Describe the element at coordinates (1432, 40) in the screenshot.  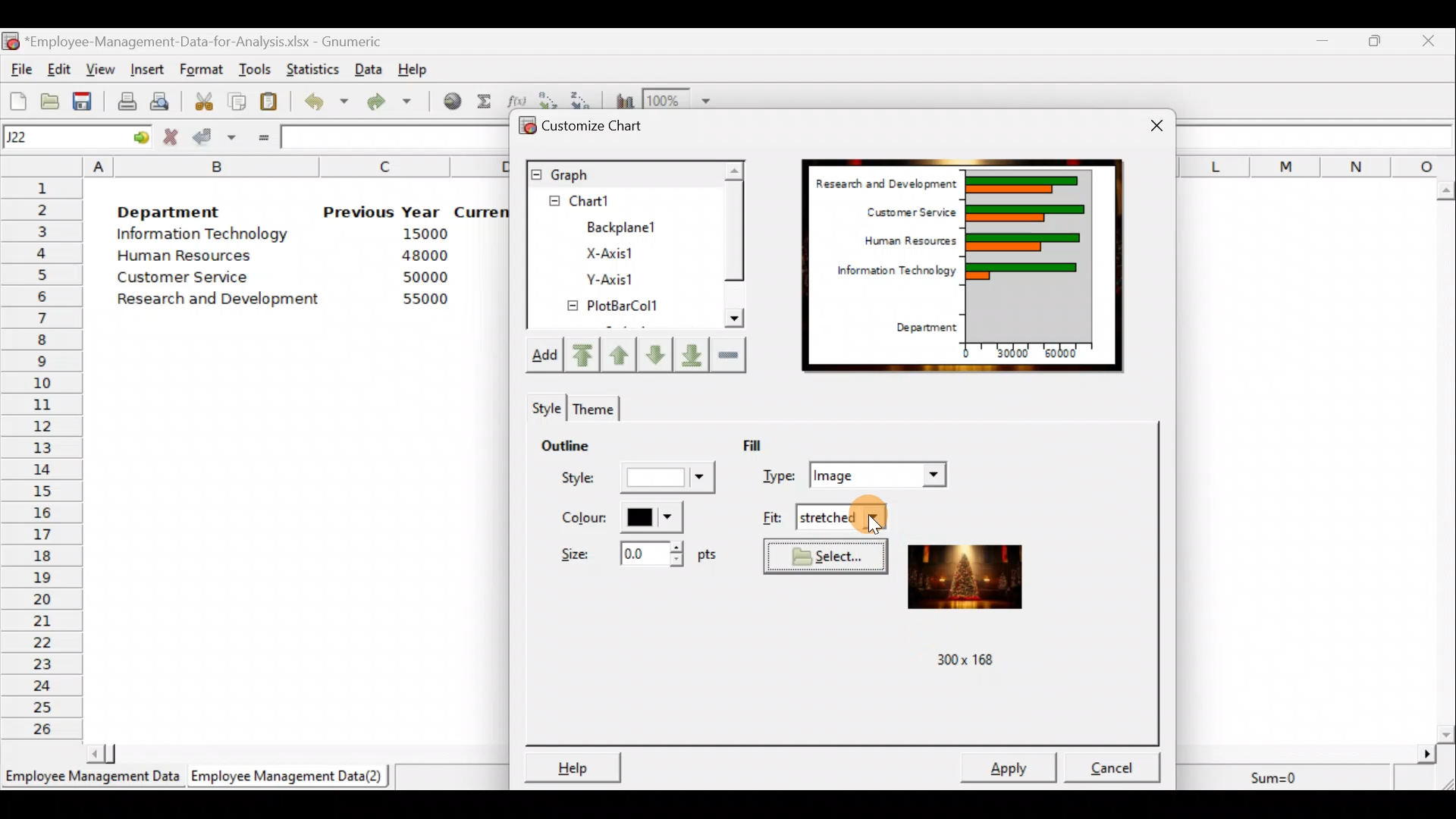
I see `Close` at that location.